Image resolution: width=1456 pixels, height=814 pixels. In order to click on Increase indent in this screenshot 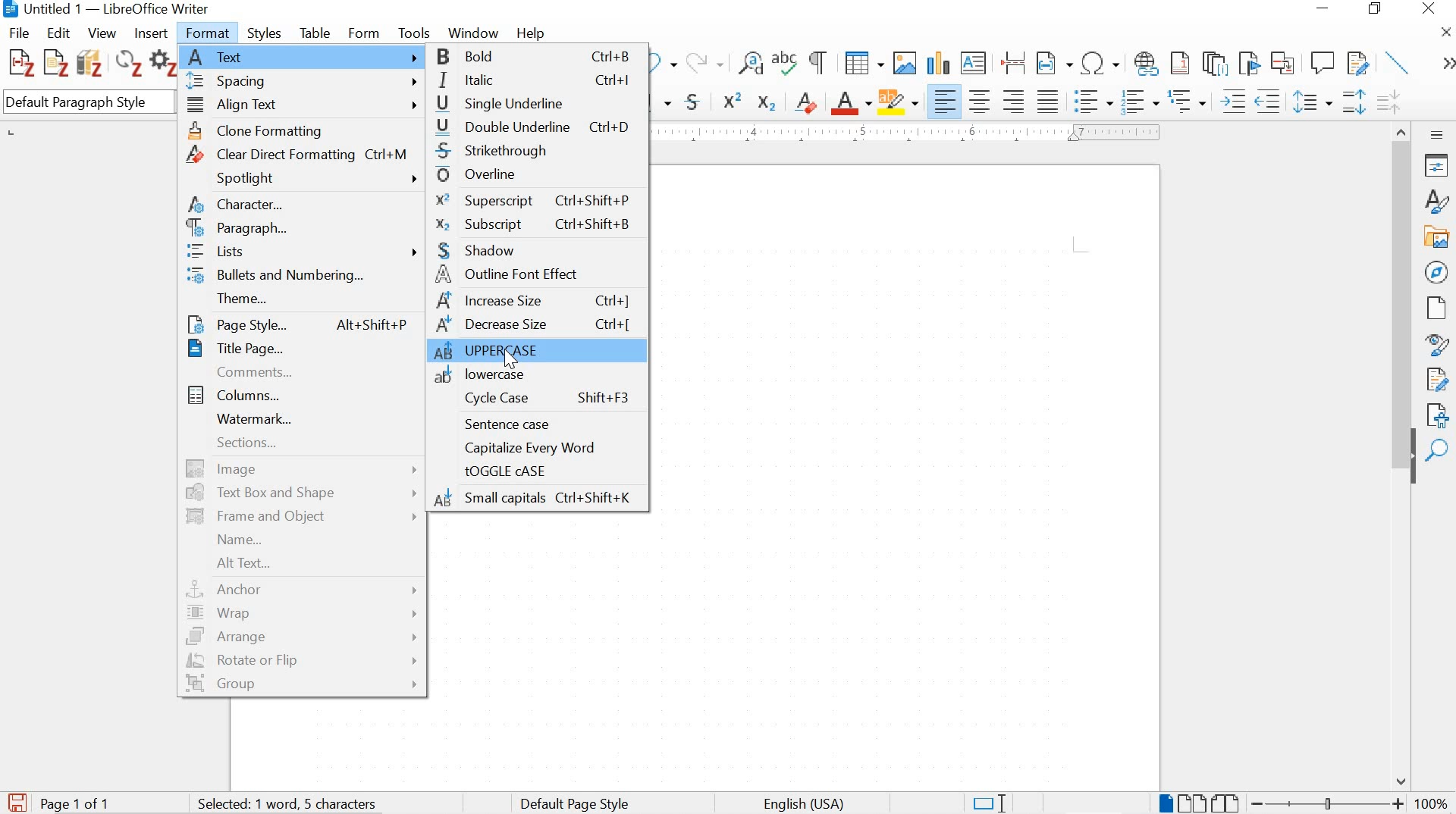, I will do `click(1232, 101)`.